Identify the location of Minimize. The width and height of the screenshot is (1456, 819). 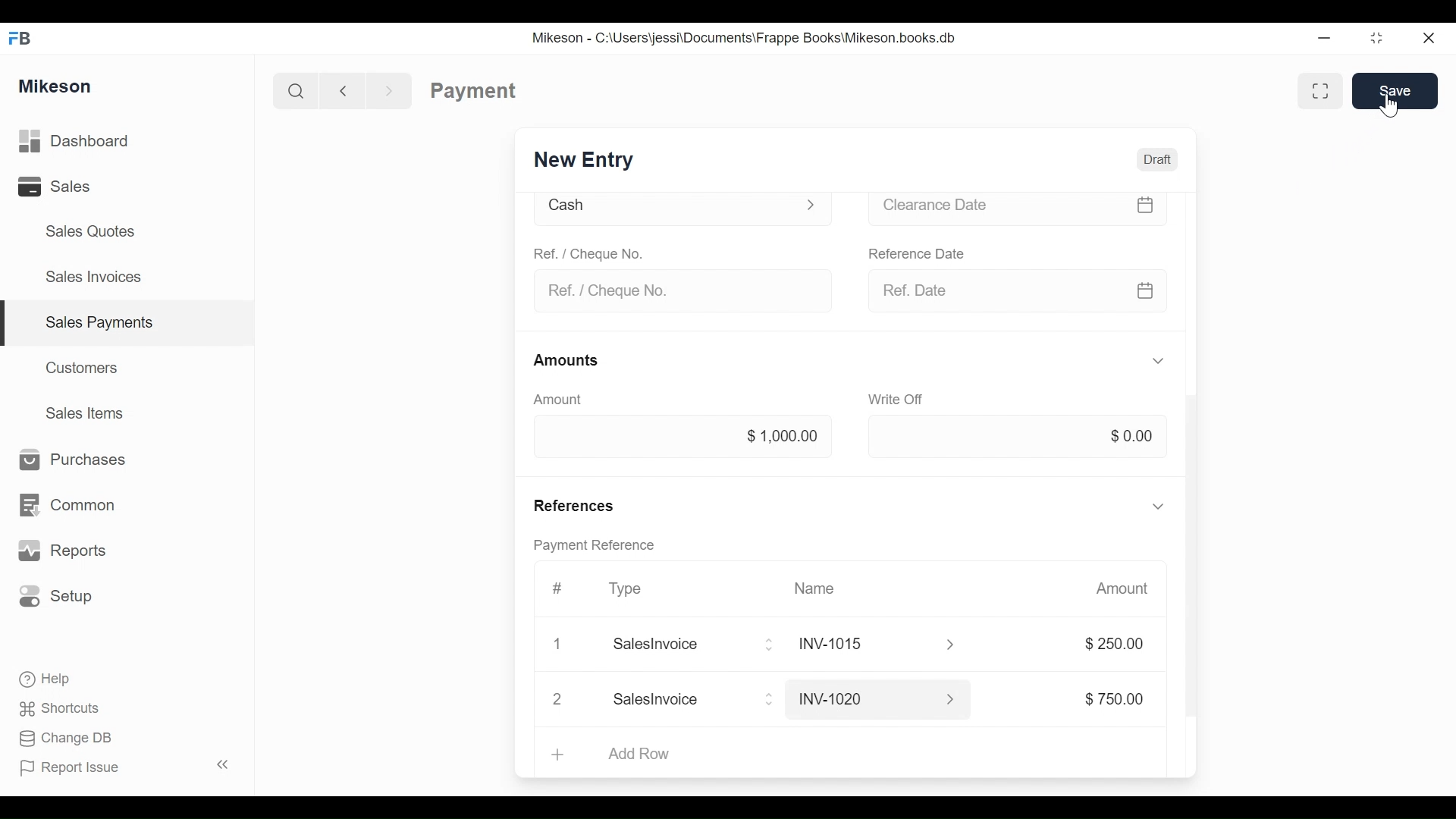
(1324, 40).